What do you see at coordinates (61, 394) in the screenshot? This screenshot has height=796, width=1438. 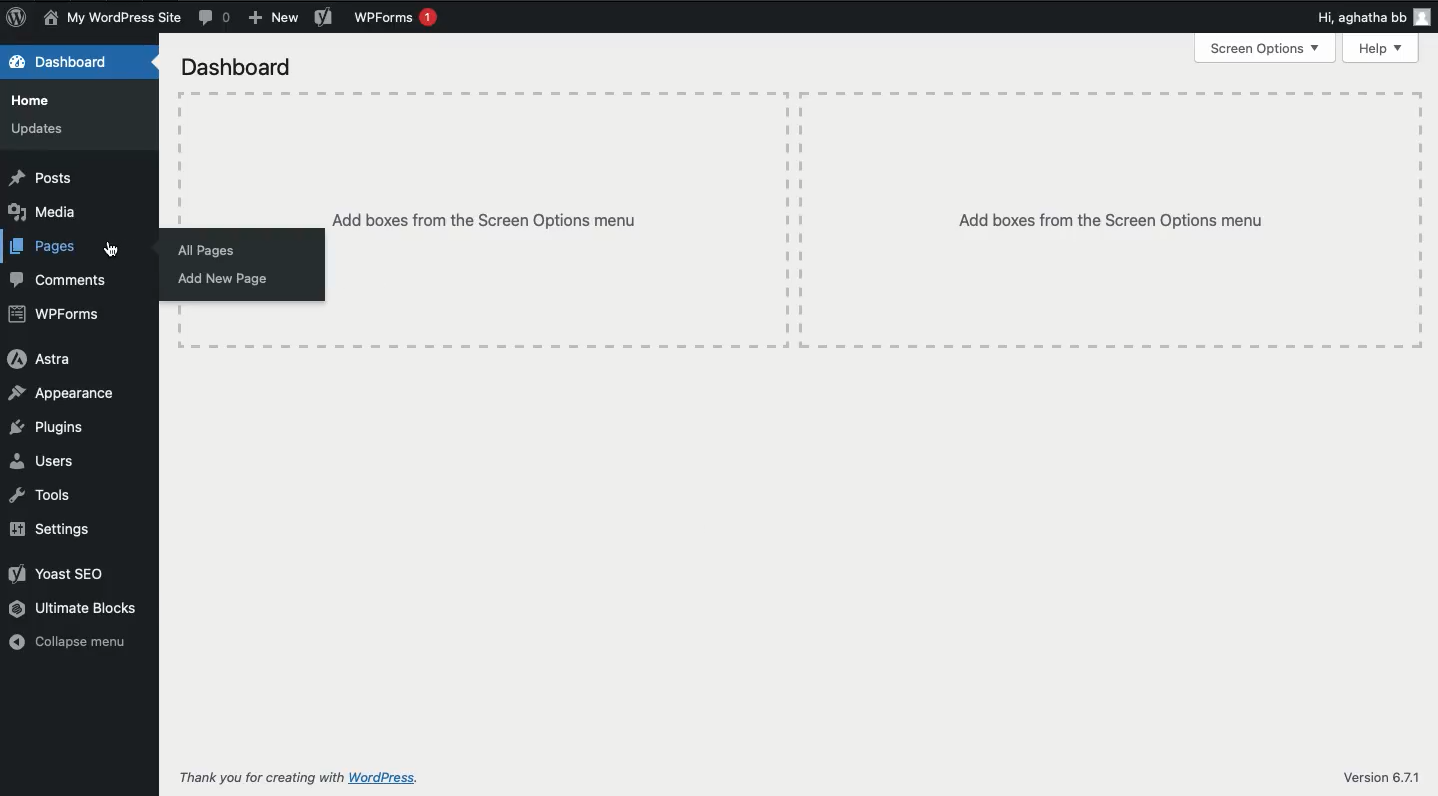 I see `Appearance` at bounding box center [61, 394].